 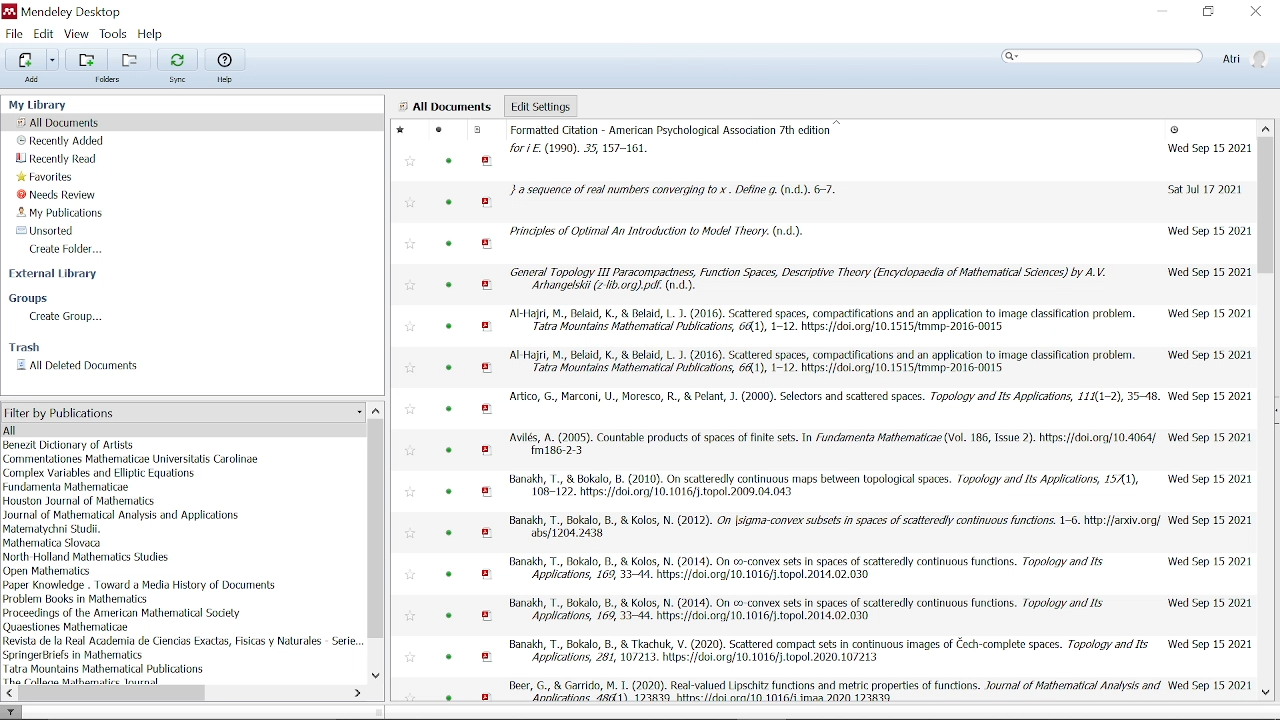 I want to click on citation, so click(x=674, y=191).